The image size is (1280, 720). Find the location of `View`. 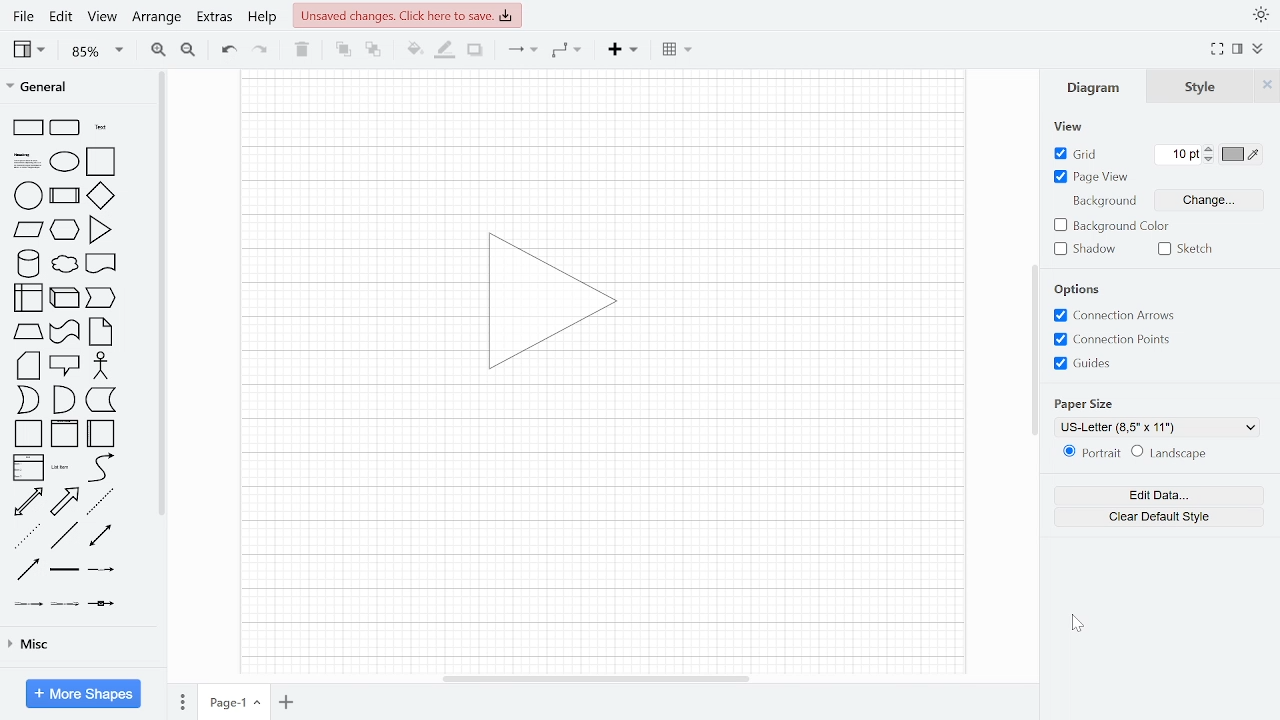

View is located at coordinates (29, 51).